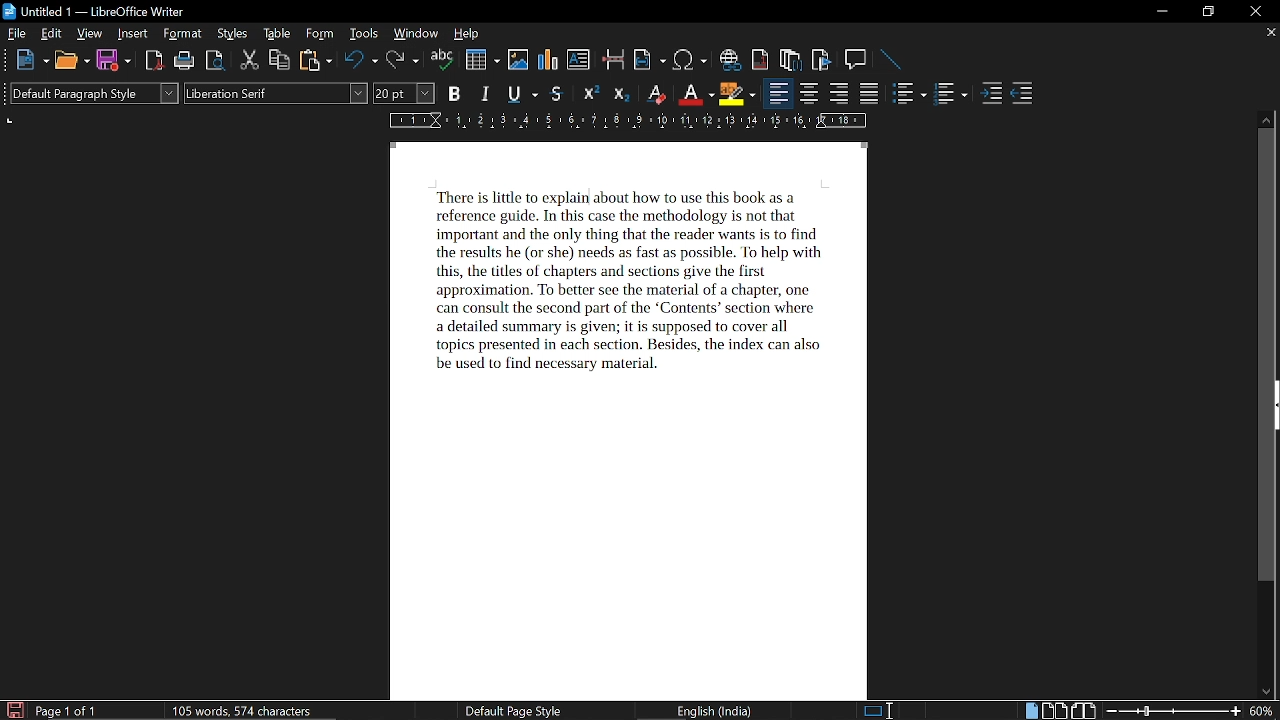 The width and height of the screenshot is (1280, 720). What do you see at coordinates (621, 95) in the screenshot?
I see `subscript` at bounding box center [621, 95].